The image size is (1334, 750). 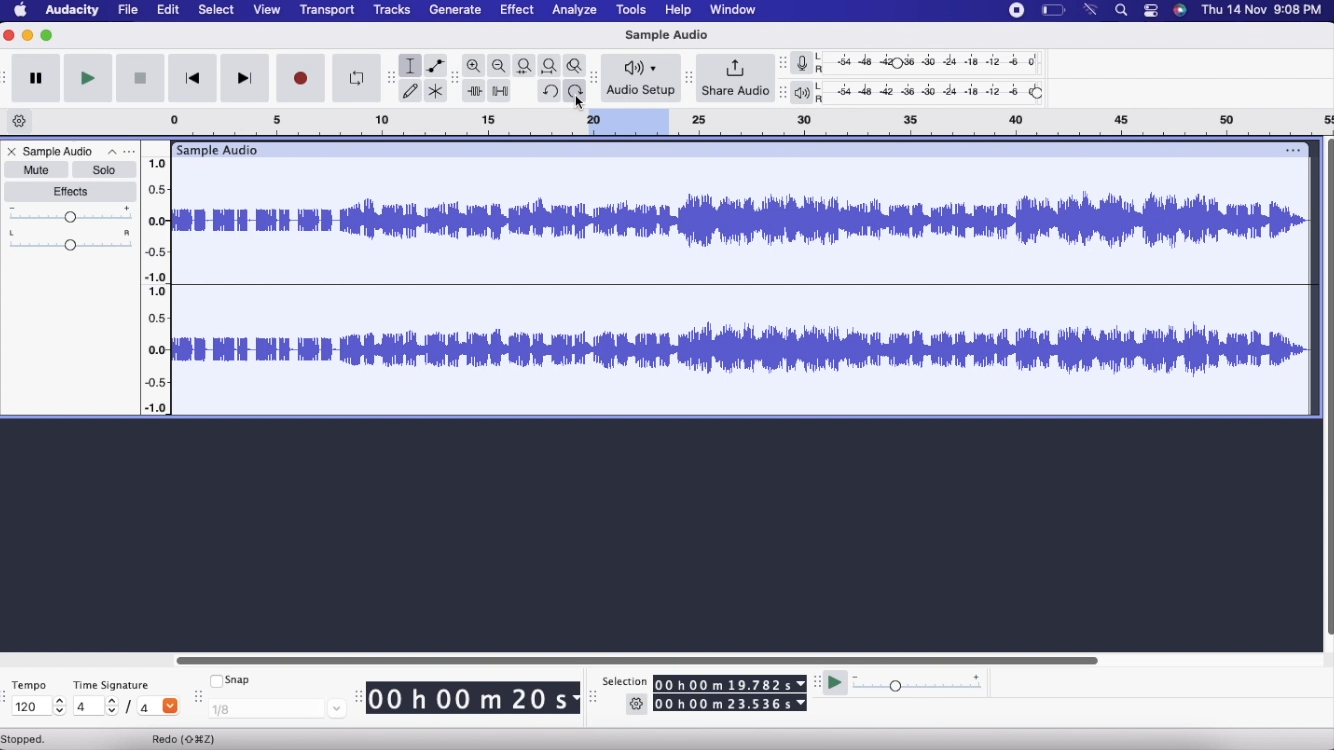 What do you see at coordinates (156, 219) in the screenshot?
I see `audio level` at bounding box center [156, 219].